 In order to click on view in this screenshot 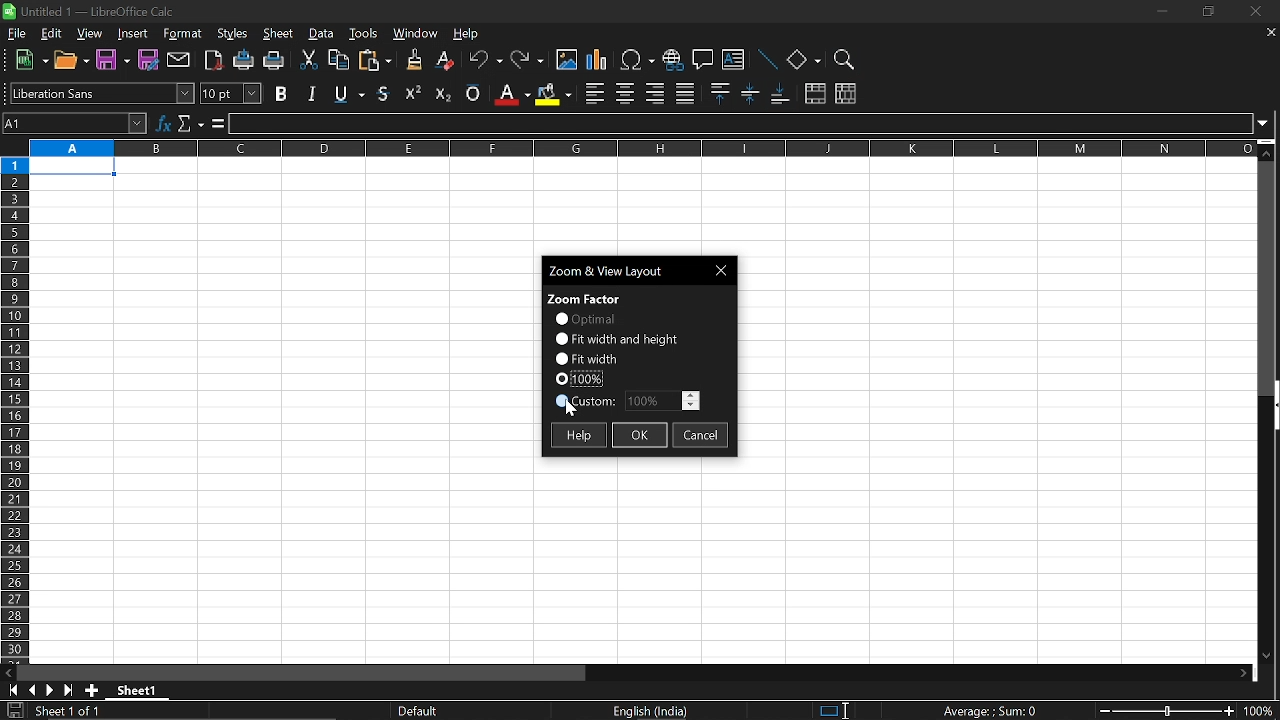, I will do `click(91, 35)`.